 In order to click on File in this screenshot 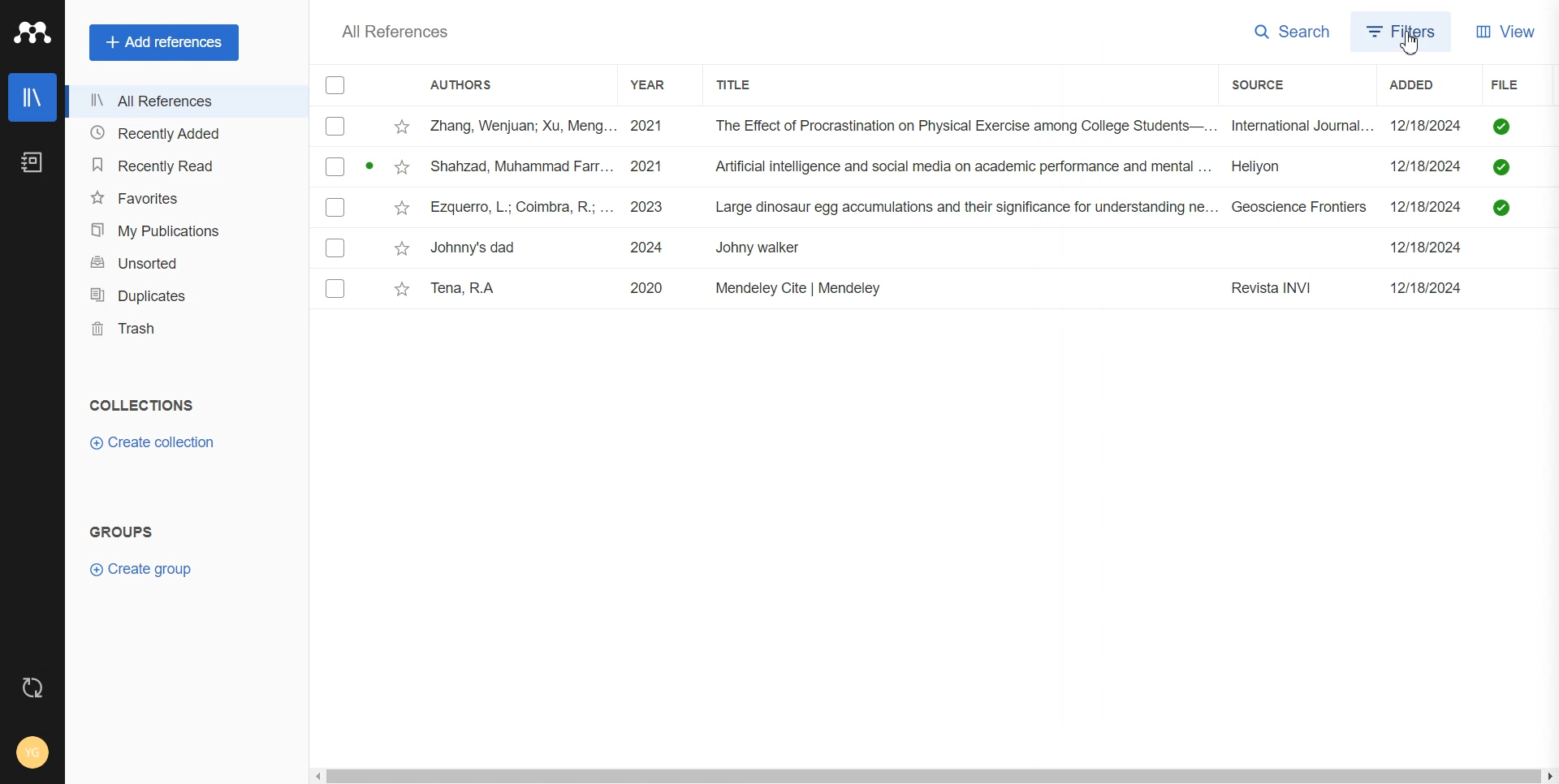, I will do `click(915, 290)`.